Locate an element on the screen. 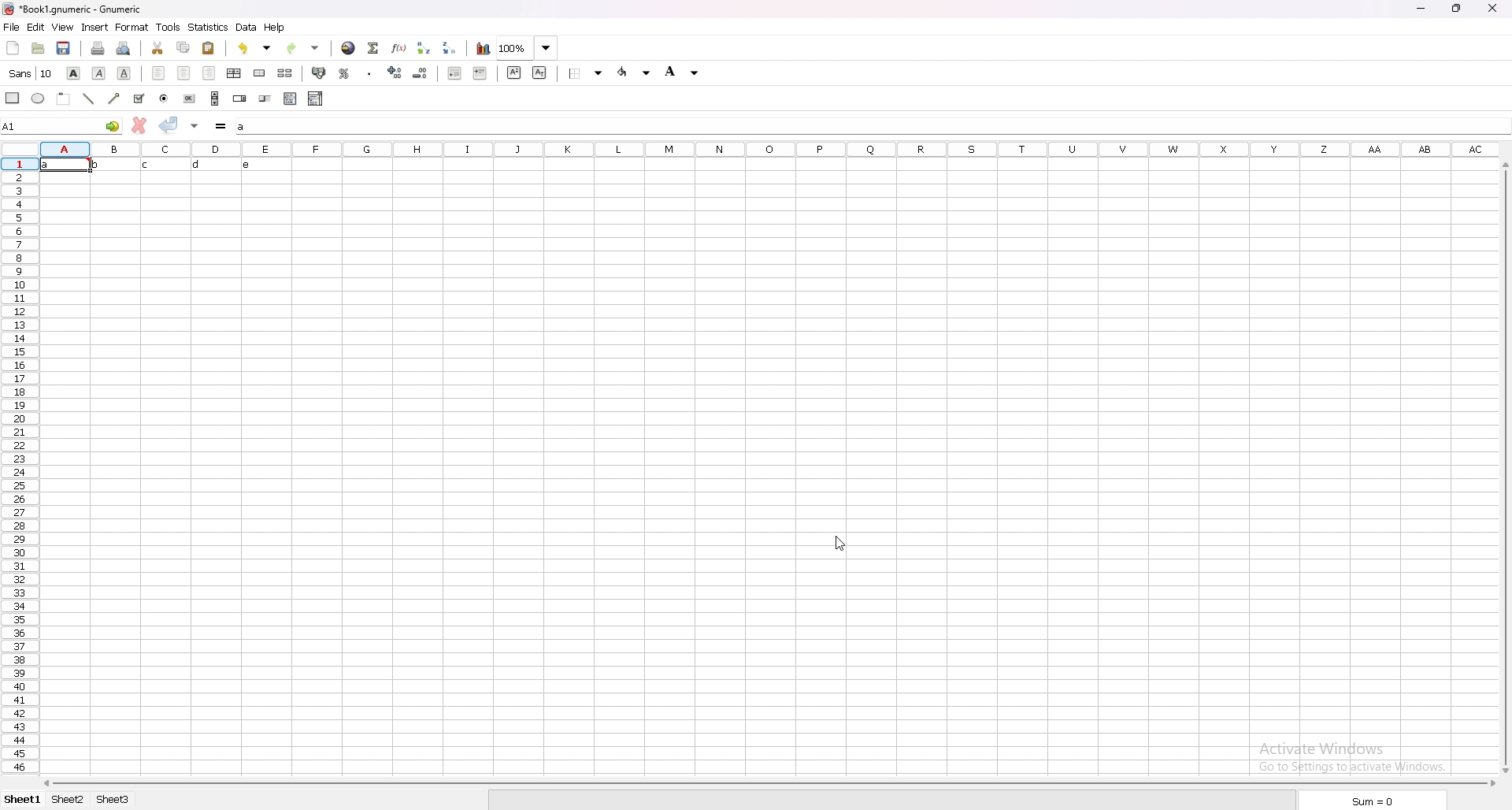 Image resolution: width=1512 pixels, height=810 pixels. spin button is located at coordinates (239, 98).